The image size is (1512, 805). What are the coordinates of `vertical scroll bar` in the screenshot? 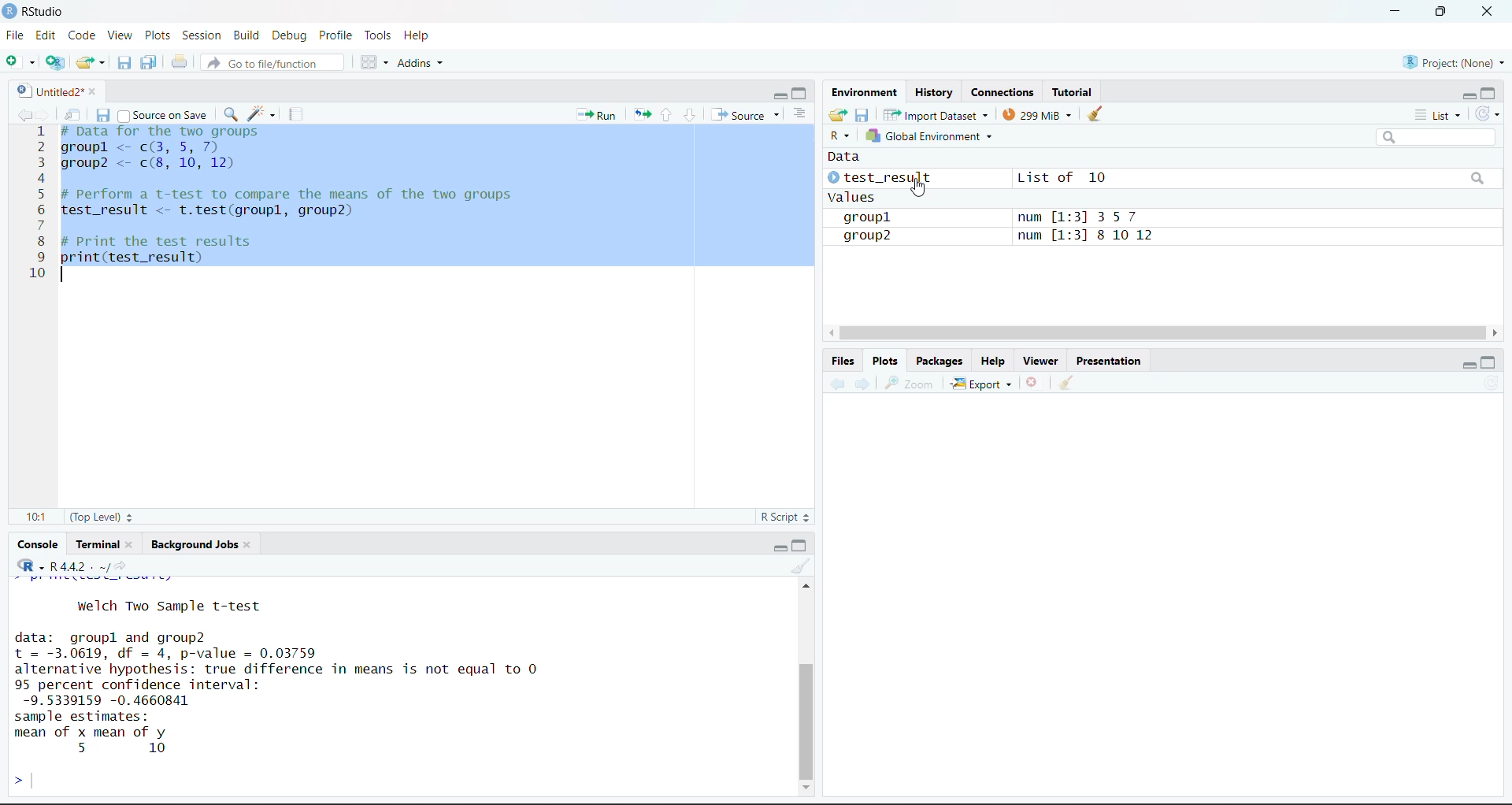 It's located at (808, 721).